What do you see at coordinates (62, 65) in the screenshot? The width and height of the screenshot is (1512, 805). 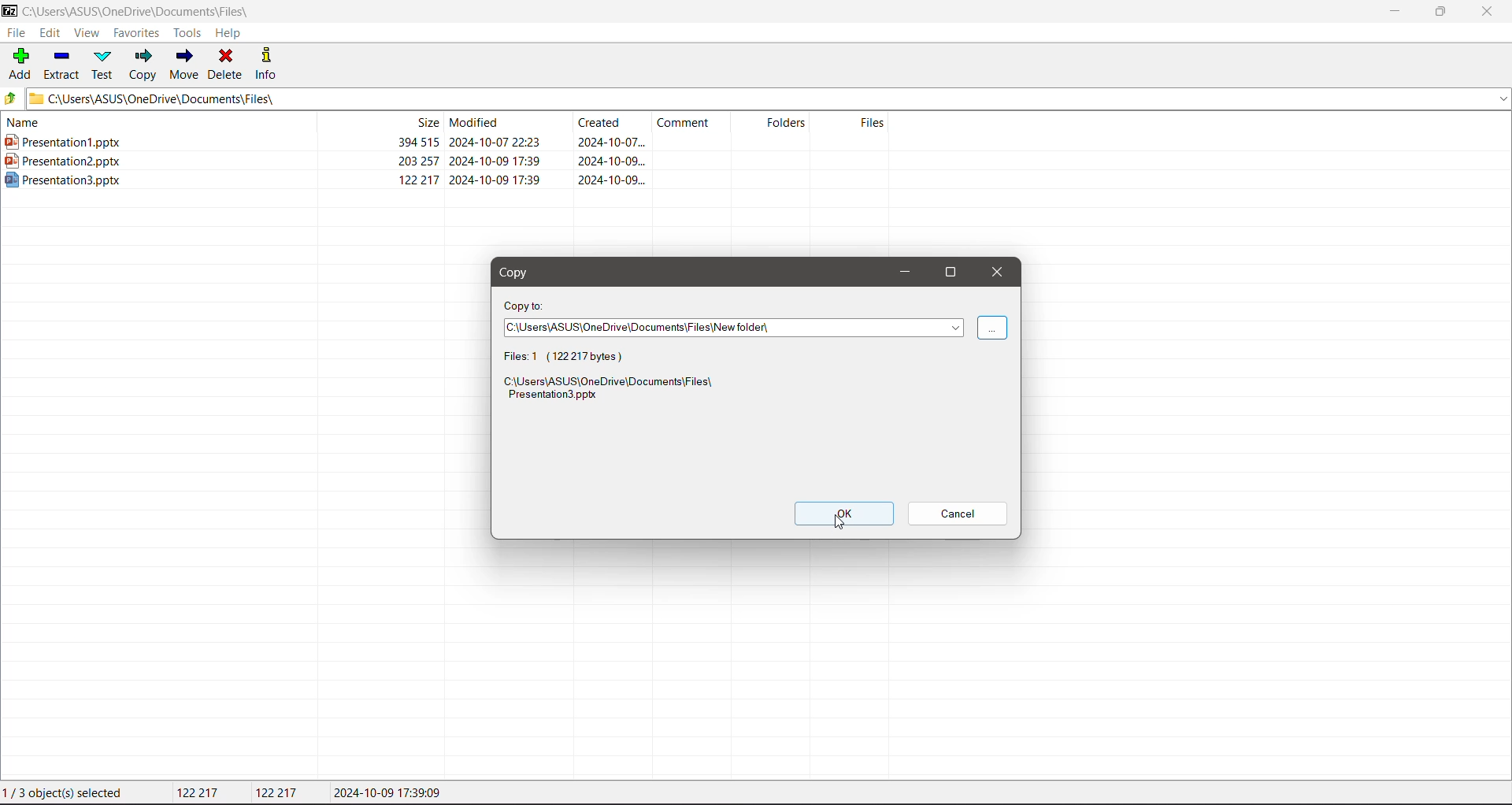 I see `Extract` at bounding box center [62, 65].